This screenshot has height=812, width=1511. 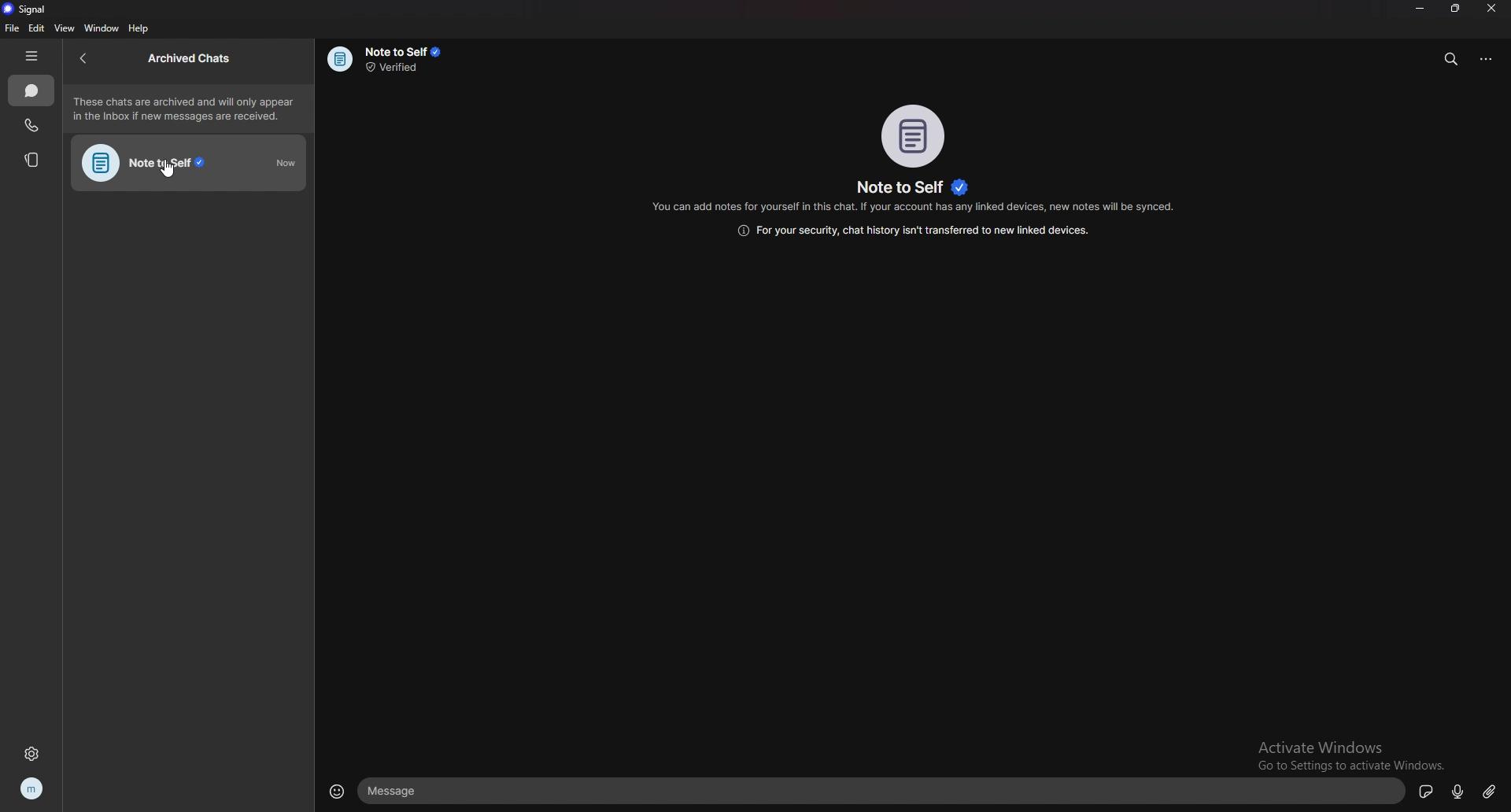 I want to click on file, so click(x=11, y=28).